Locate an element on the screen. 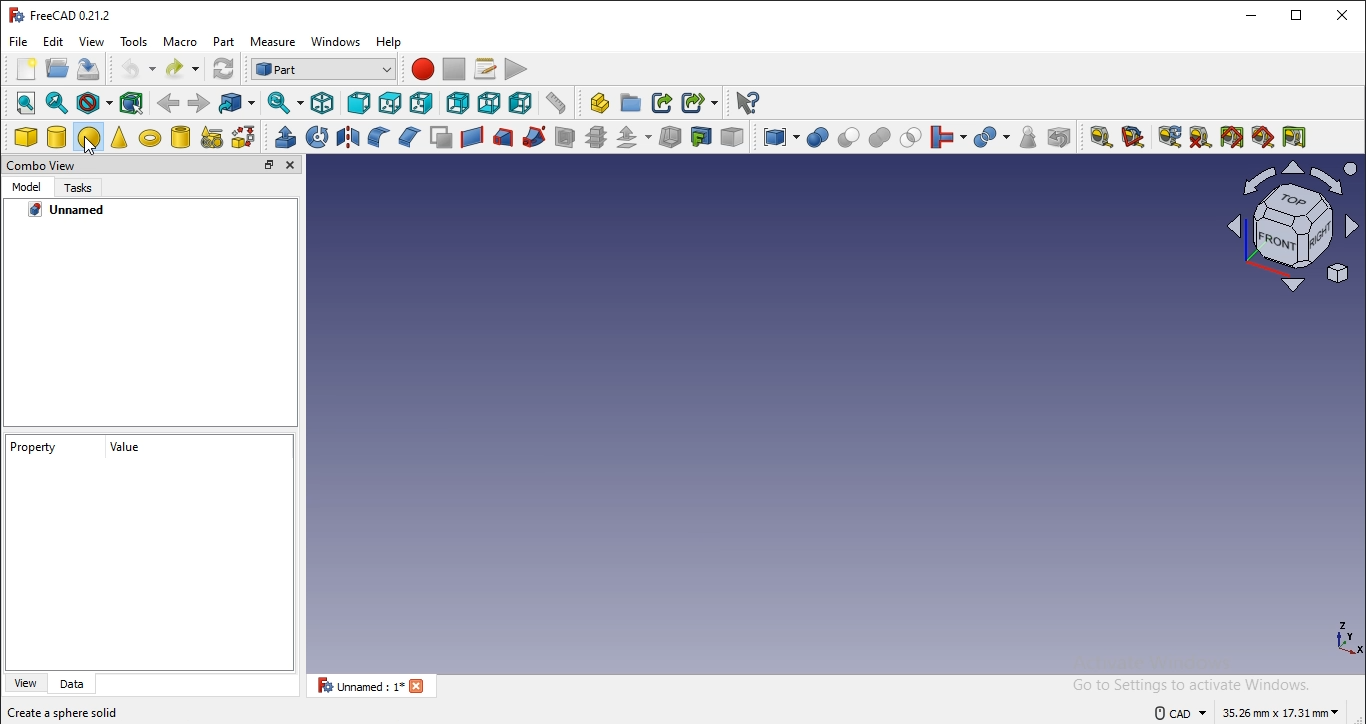 This screenshot has height=724, width=1366. section is located at coordinates (562, 136).